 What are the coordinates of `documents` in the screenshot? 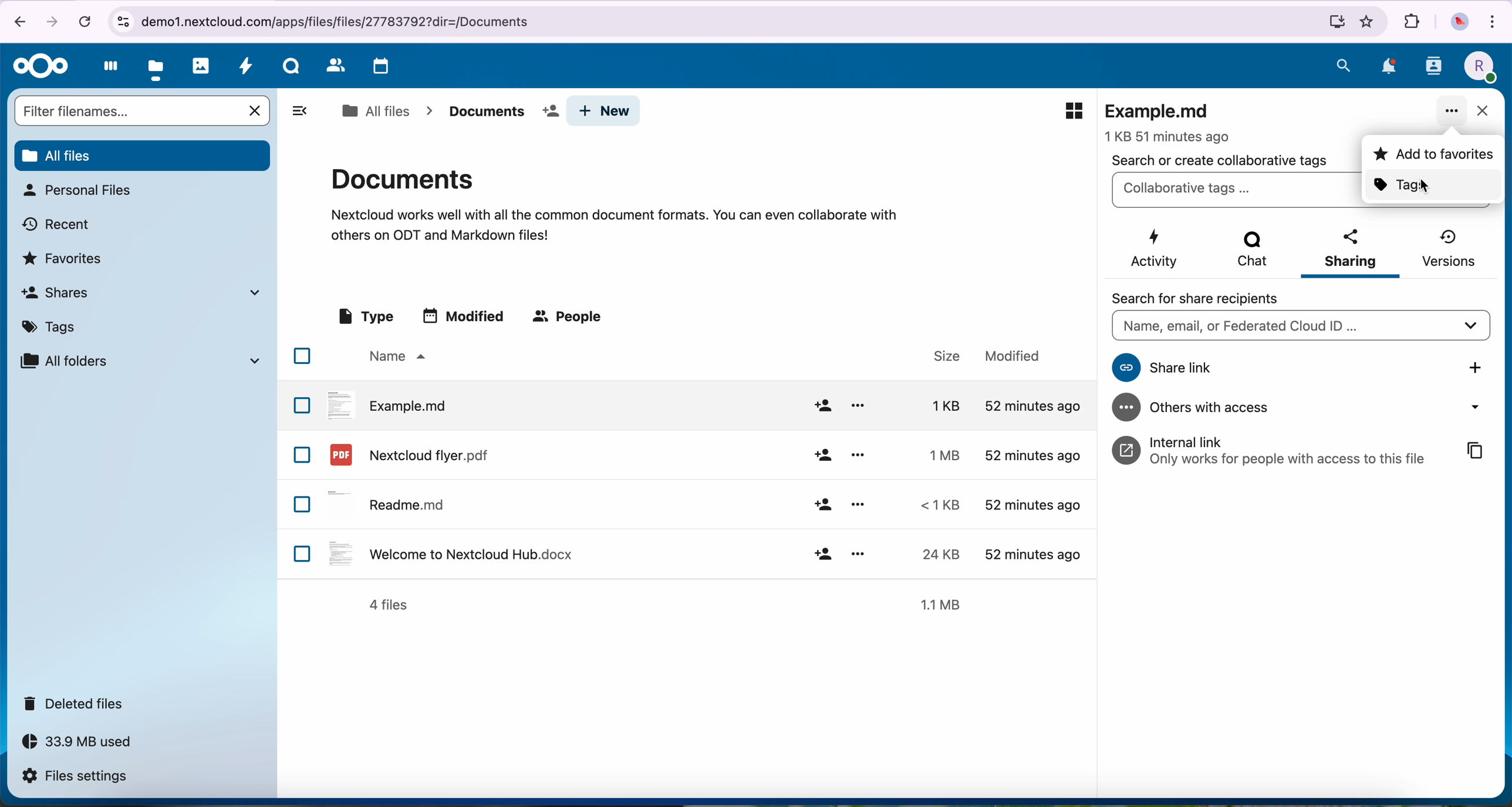 It's located at (614, 202).